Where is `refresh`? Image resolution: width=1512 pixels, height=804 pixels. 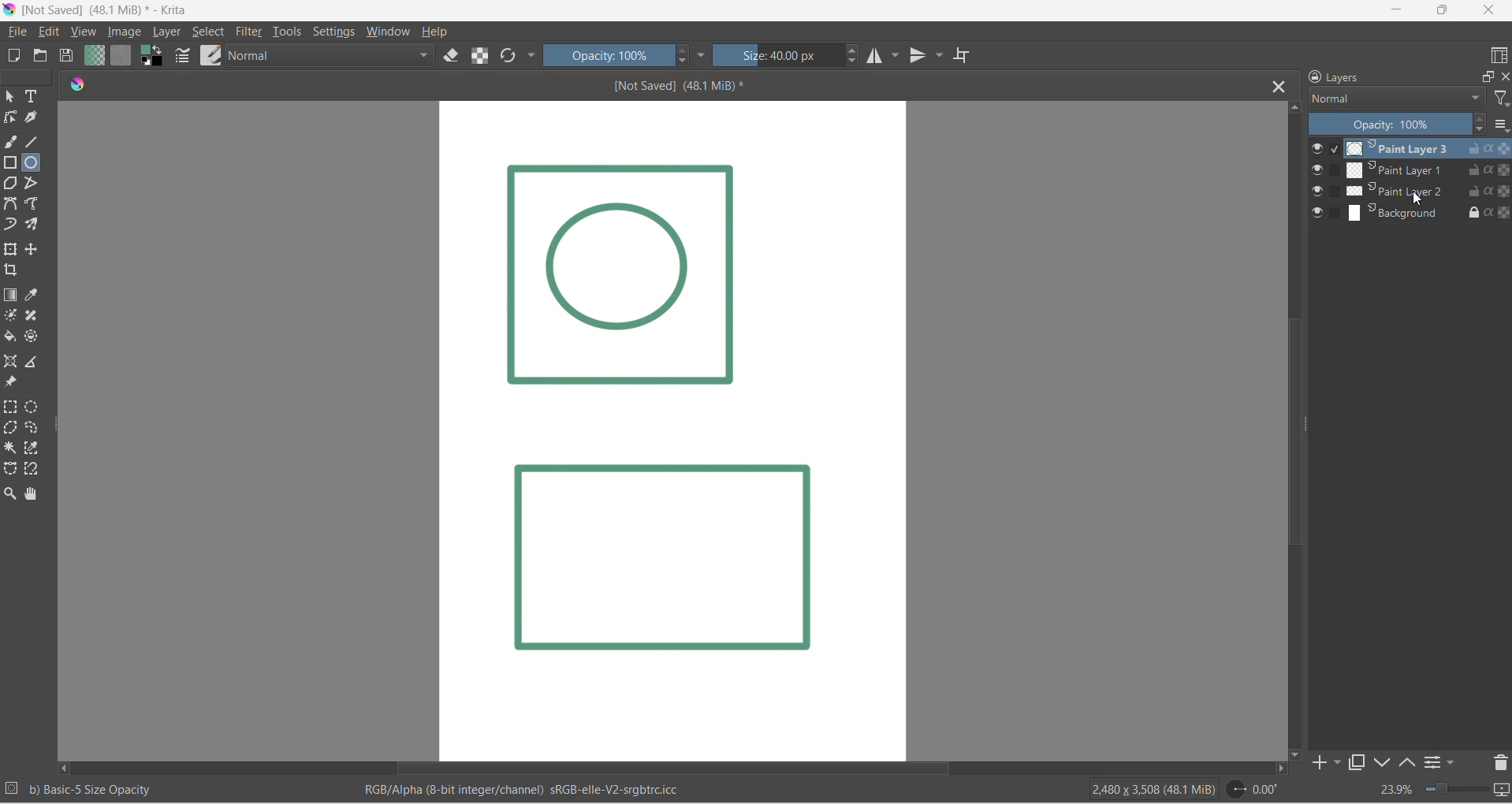 refresh is located at coordinates (507, 58).